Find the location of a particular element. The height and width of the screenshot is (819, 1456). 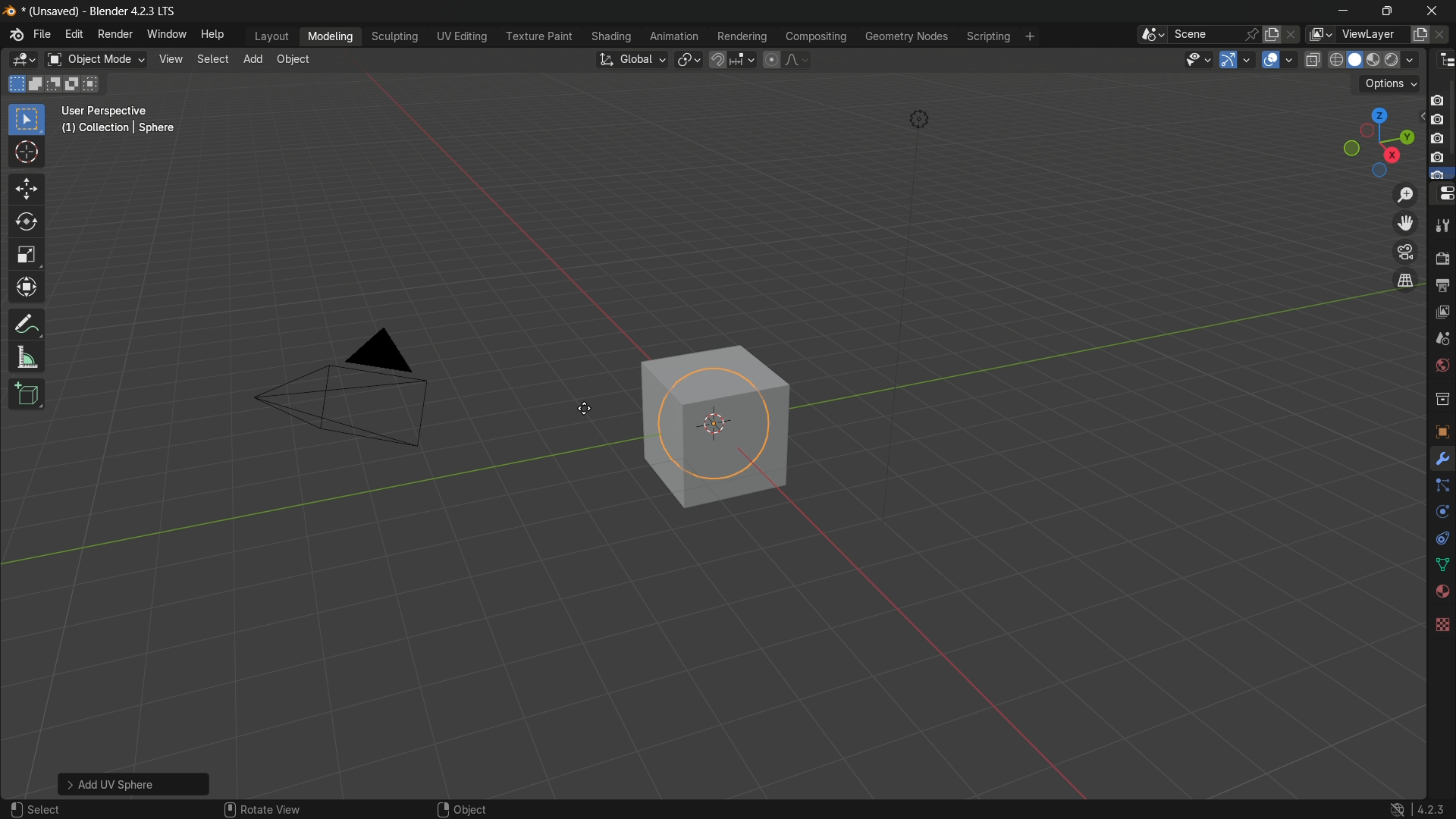

intersect existing selection is located at coordinates (96, 83).